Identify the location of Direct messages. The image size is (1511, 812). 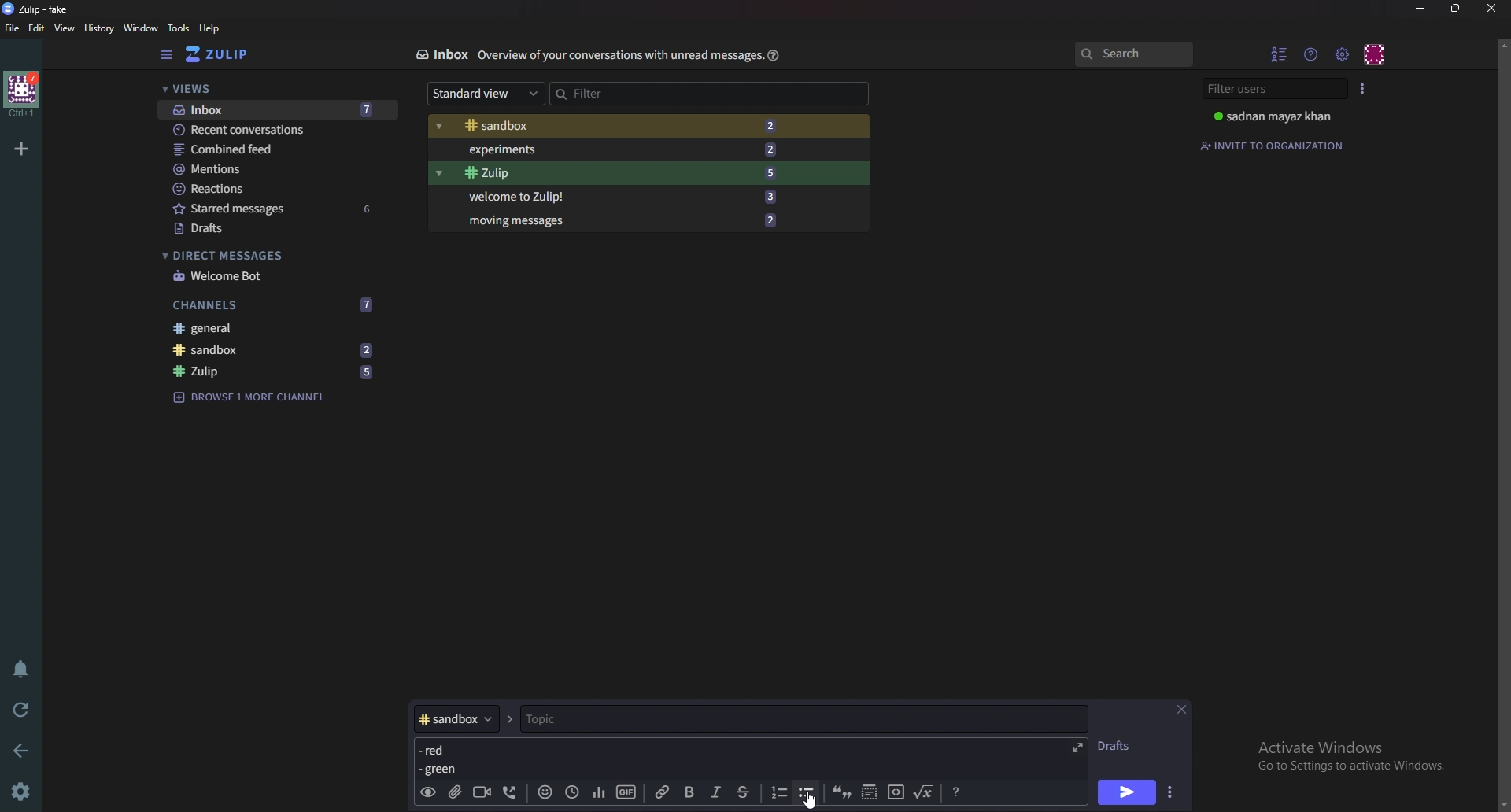
(271, 256).